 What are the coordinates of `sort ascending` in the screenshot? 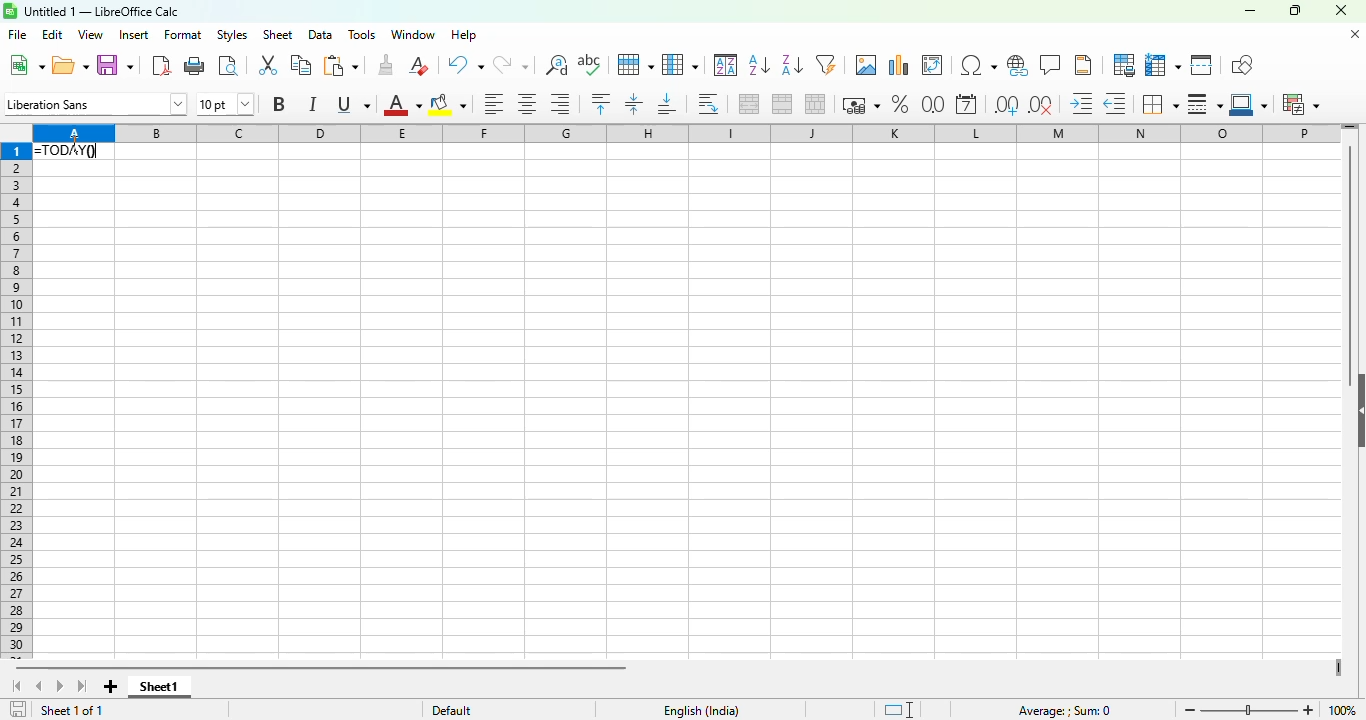 It's located at (759, 66).